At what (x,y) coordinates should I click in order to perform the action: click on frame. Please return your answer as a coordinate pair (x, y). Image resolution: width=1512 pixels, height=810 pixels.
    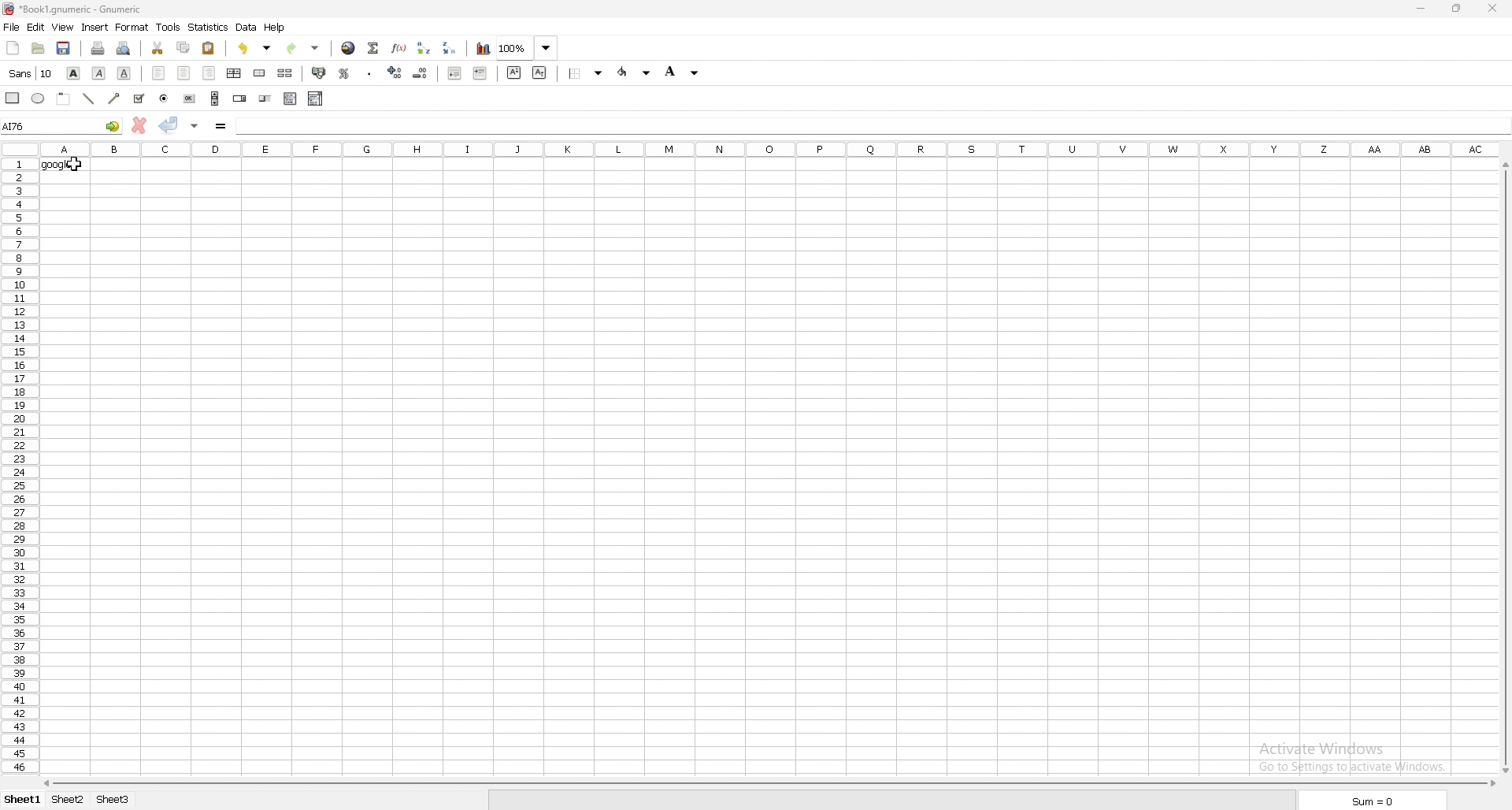
    Looking at the image, I should click on (65, 98).